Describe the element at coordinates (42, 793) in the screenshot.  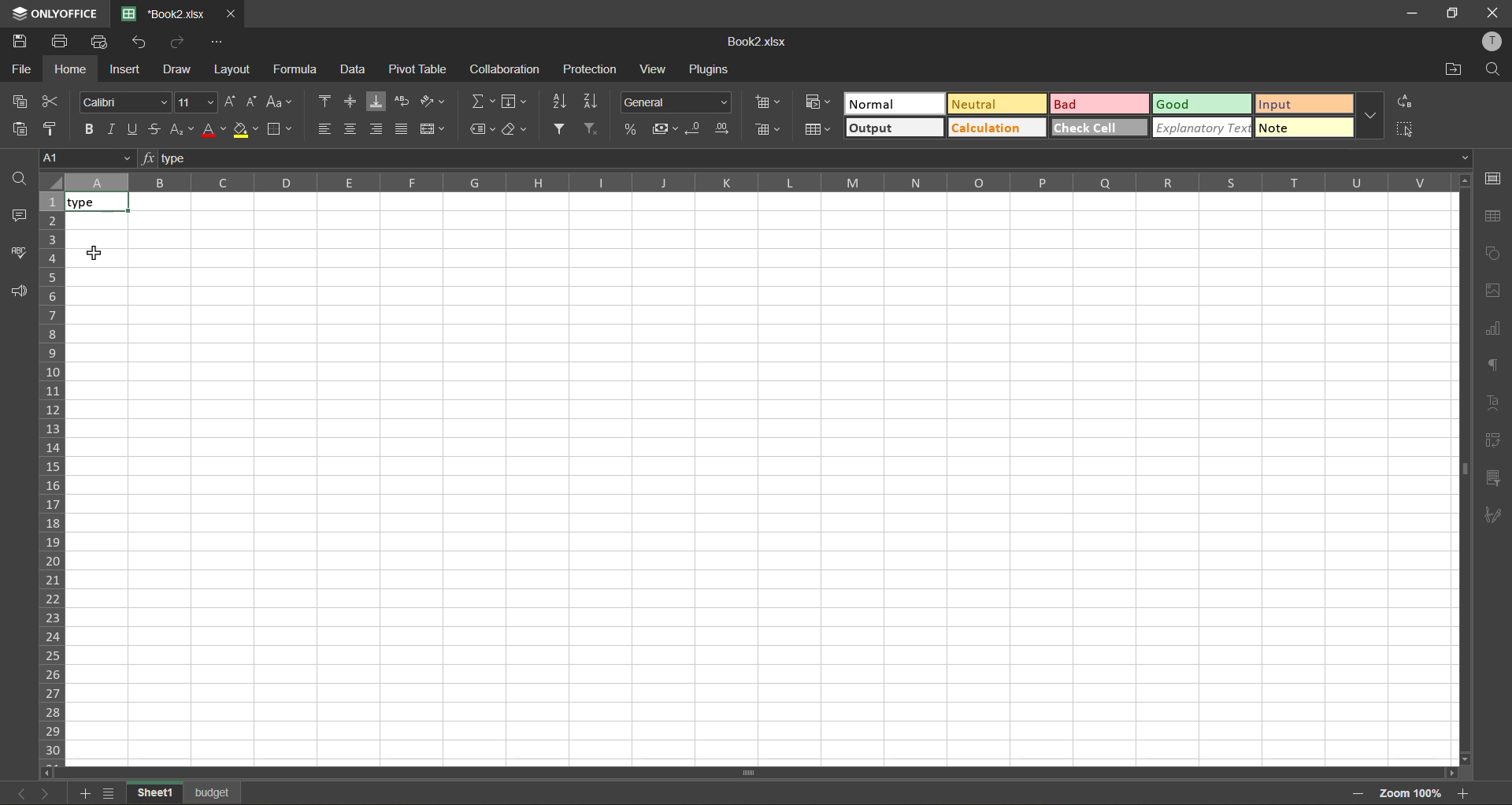
I see `next` at that location.